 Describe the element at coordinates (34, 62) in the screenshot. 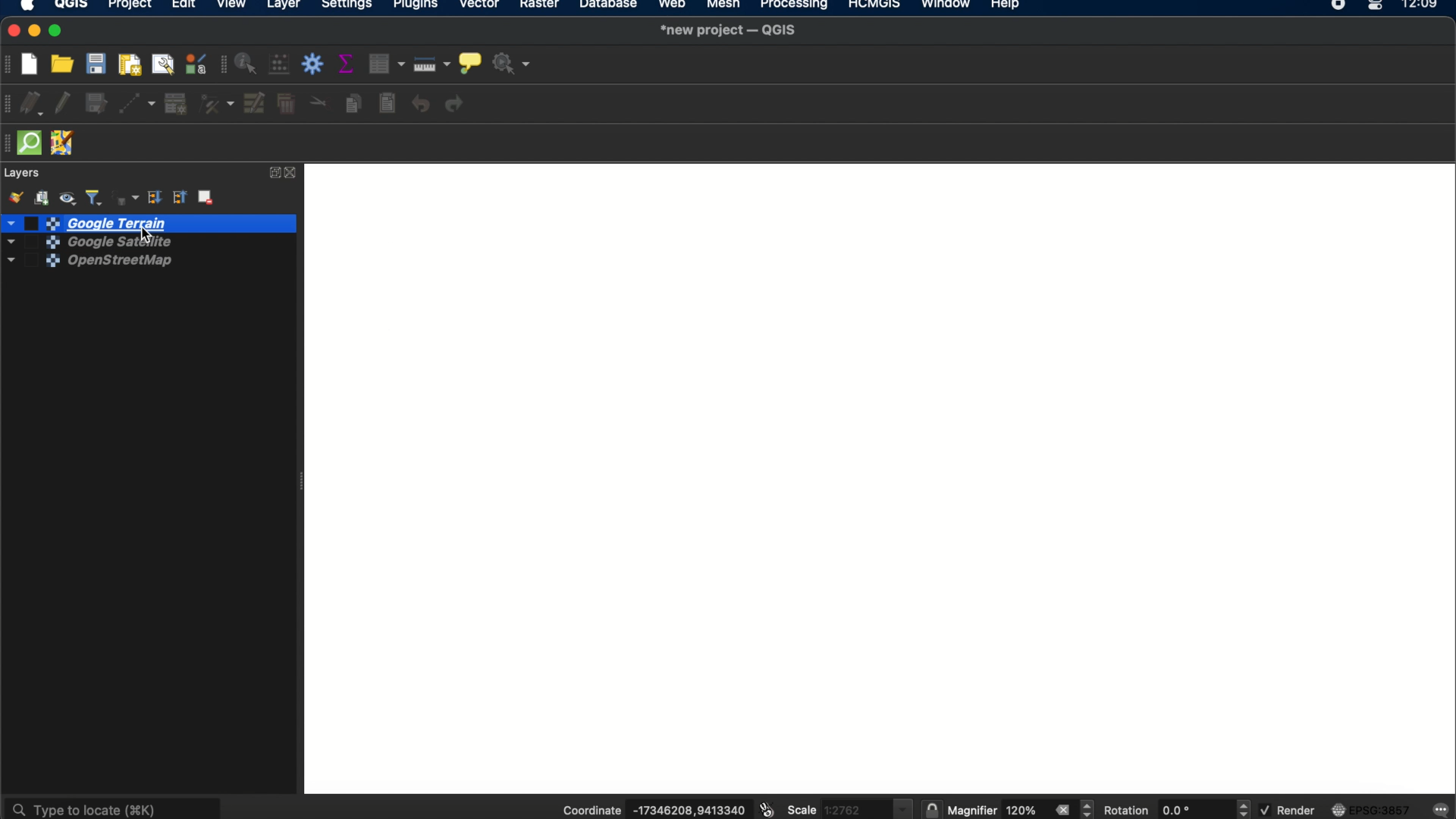

I see `new project` at that location.